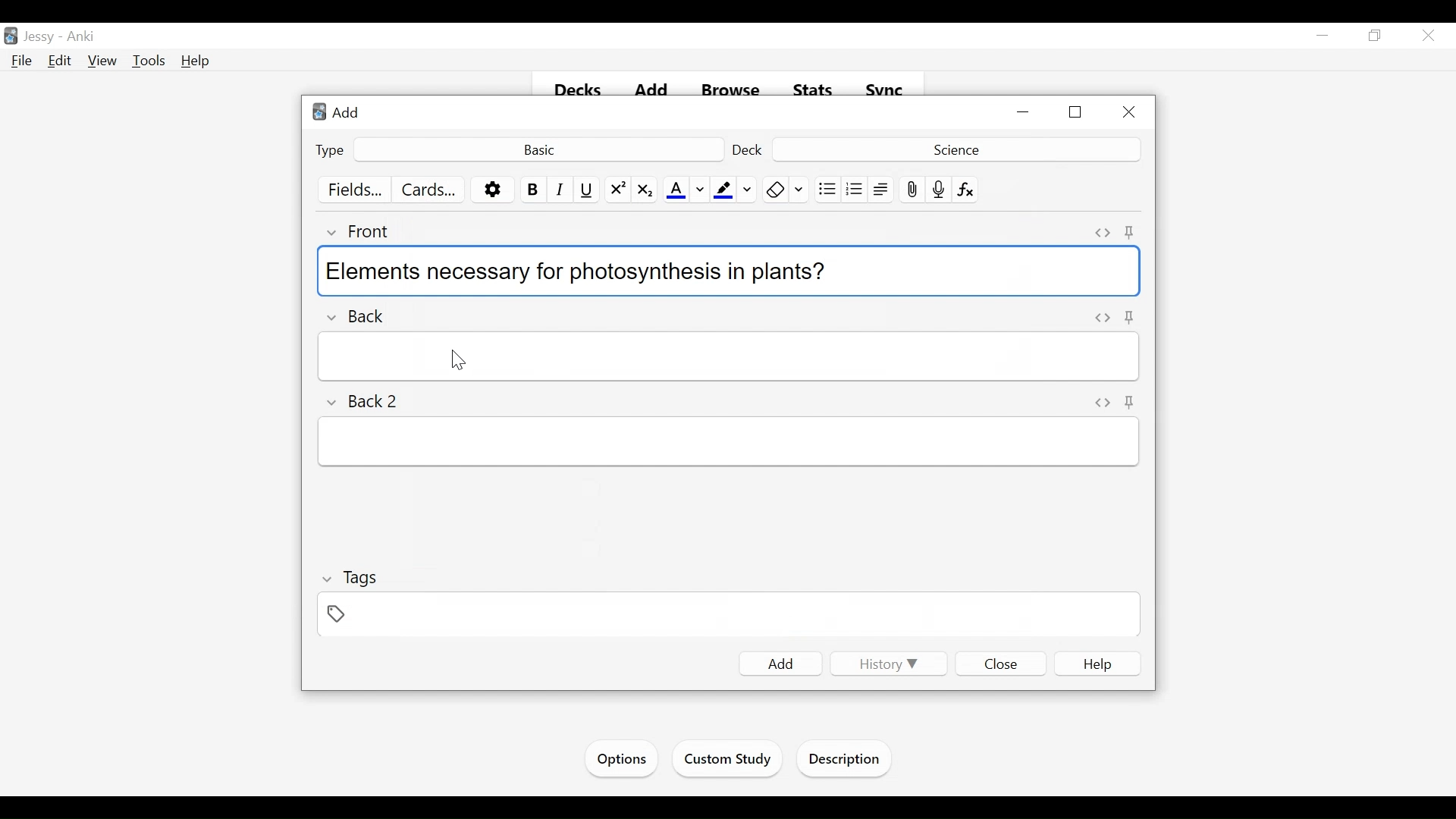  Describe the element at coordinates (848, 761) in the screenshot. I see `Description` at that location.